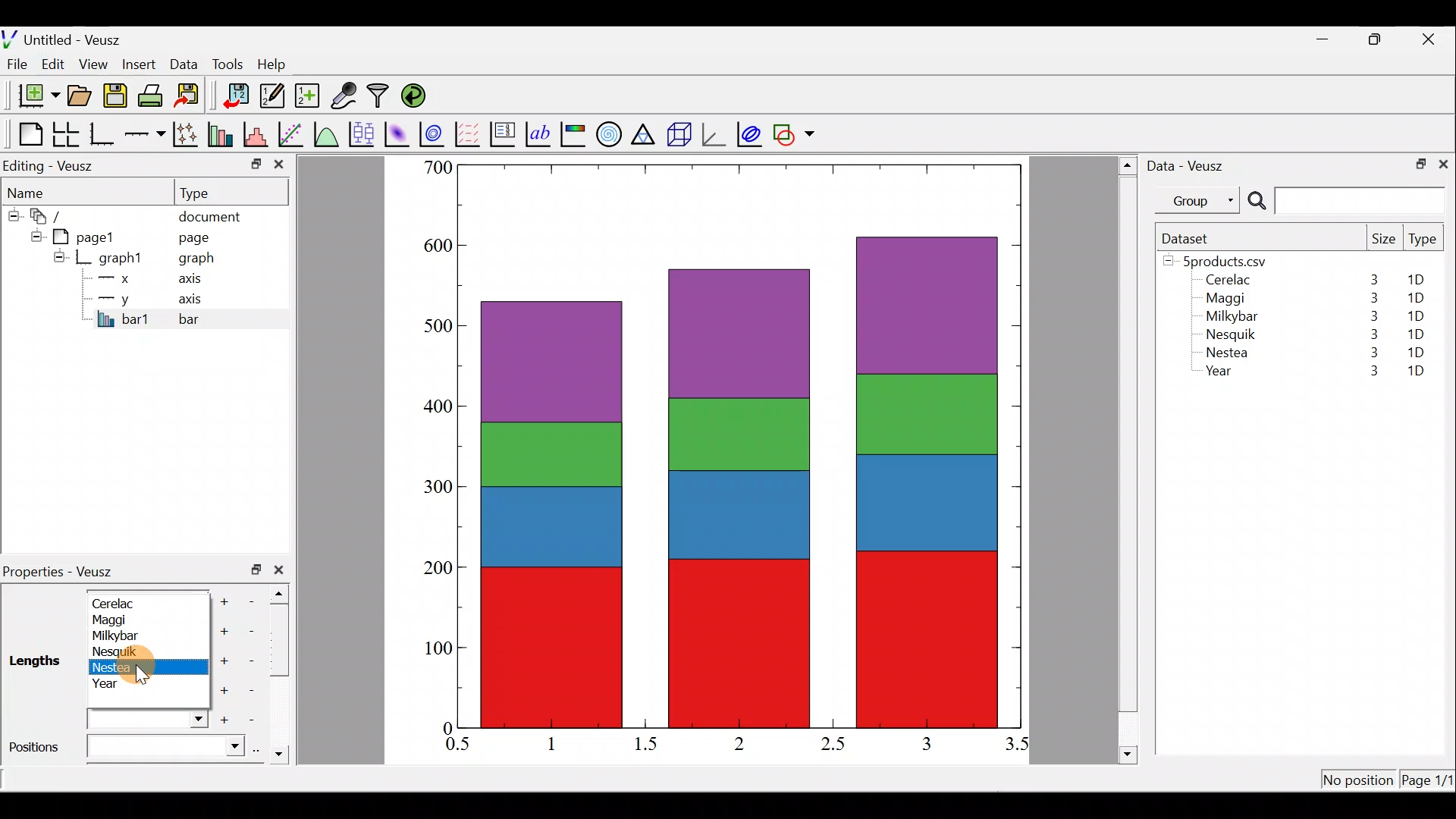 Image resolution: width=1456 pixels, height=819 pixels. What do you see at coordinates (90, 235) in the screenshot?
I see `pagel` at bounding box center [90, 235].